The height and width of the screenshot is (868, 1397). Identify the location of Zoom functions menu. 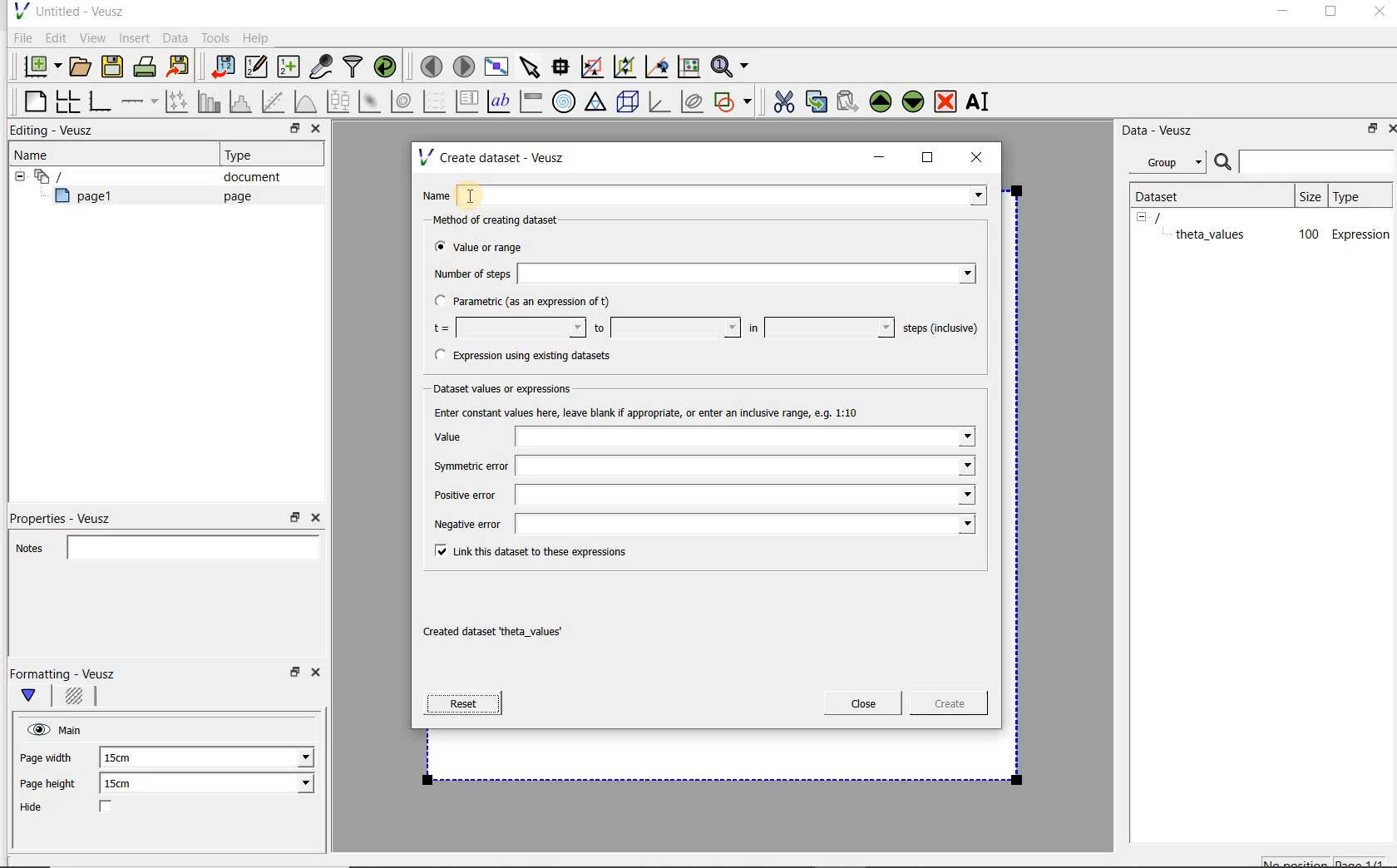
(731, 62).